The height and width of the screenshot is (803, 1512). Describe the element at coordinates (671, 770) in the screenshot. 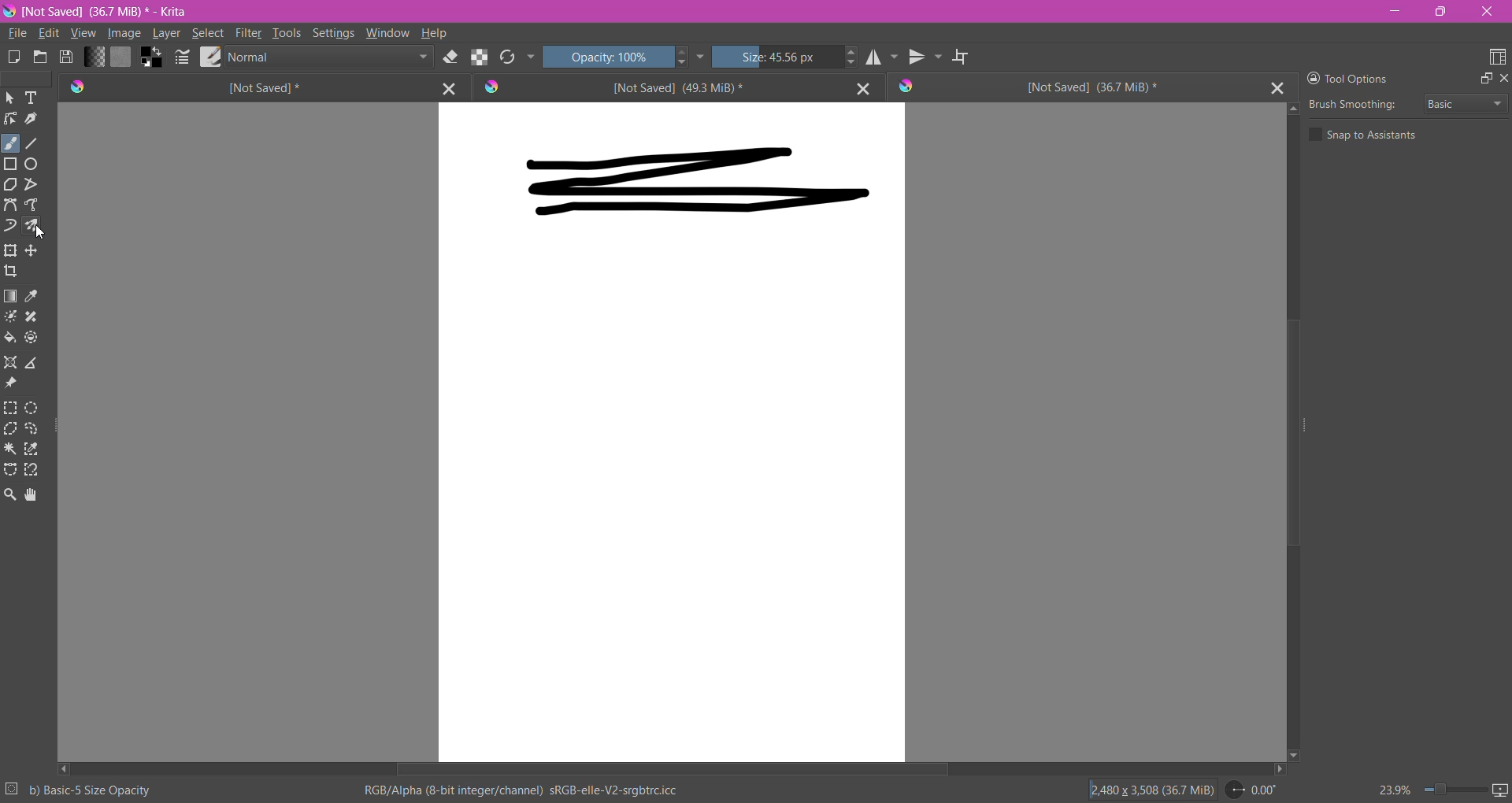

I see `Horizontal Scroll Bar` at that location.